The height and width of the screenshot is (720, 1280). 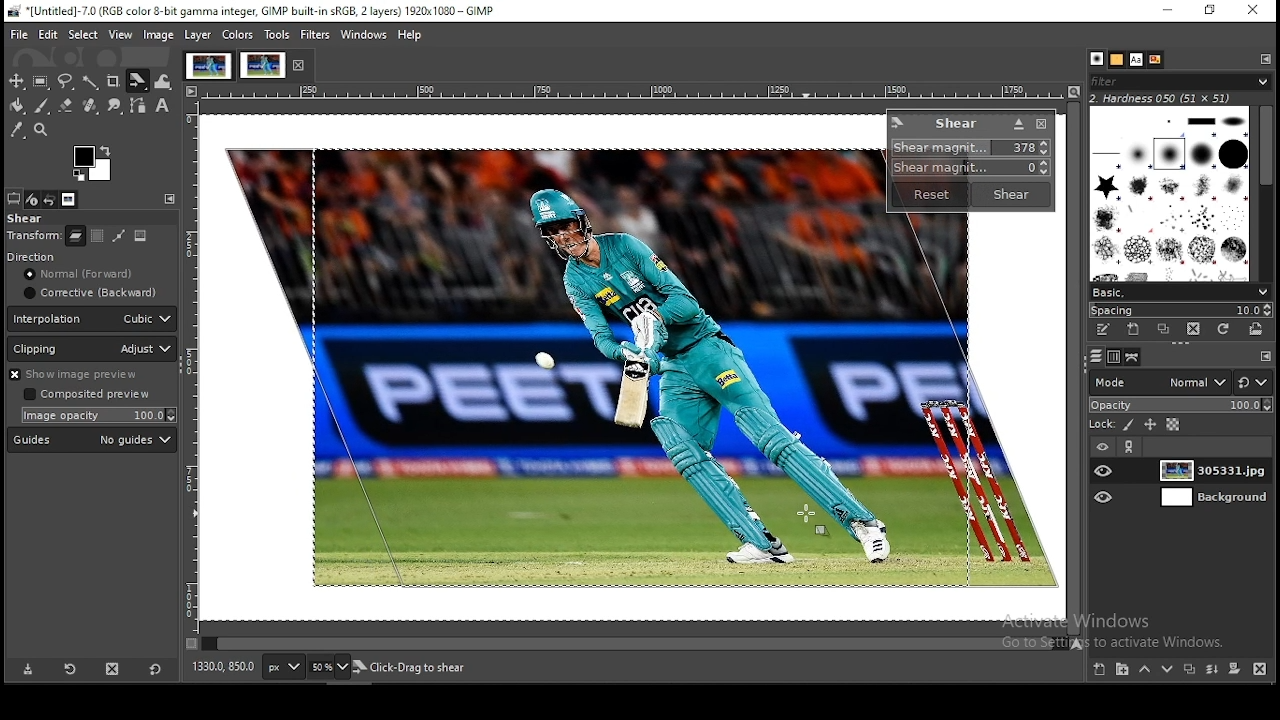 I want to click on project tab 2, so click(x=263, y=65).